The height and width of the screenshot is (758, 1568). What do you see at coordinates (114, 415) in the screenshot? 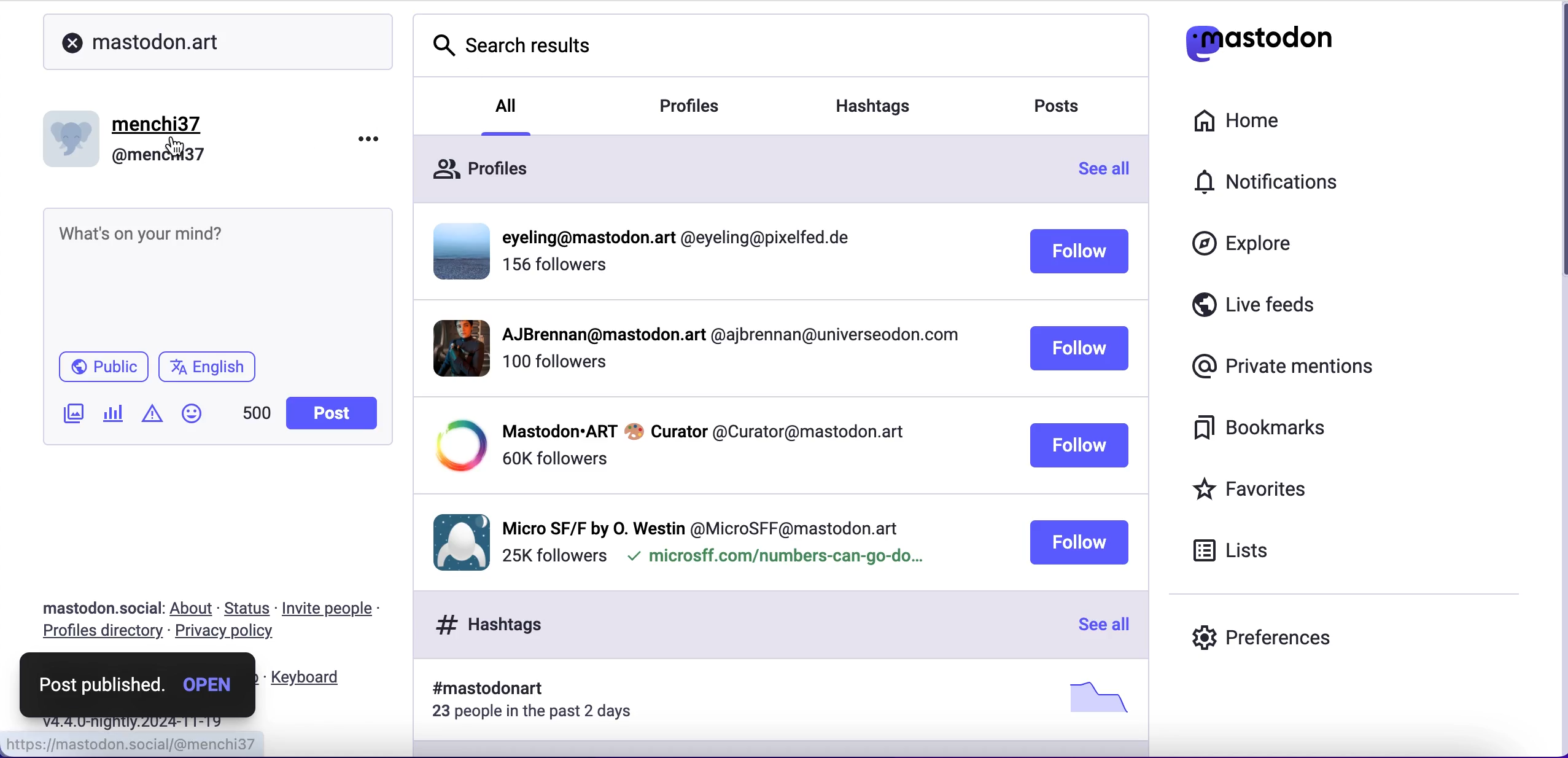
I see `add poll` at bounding box center [114, 415].